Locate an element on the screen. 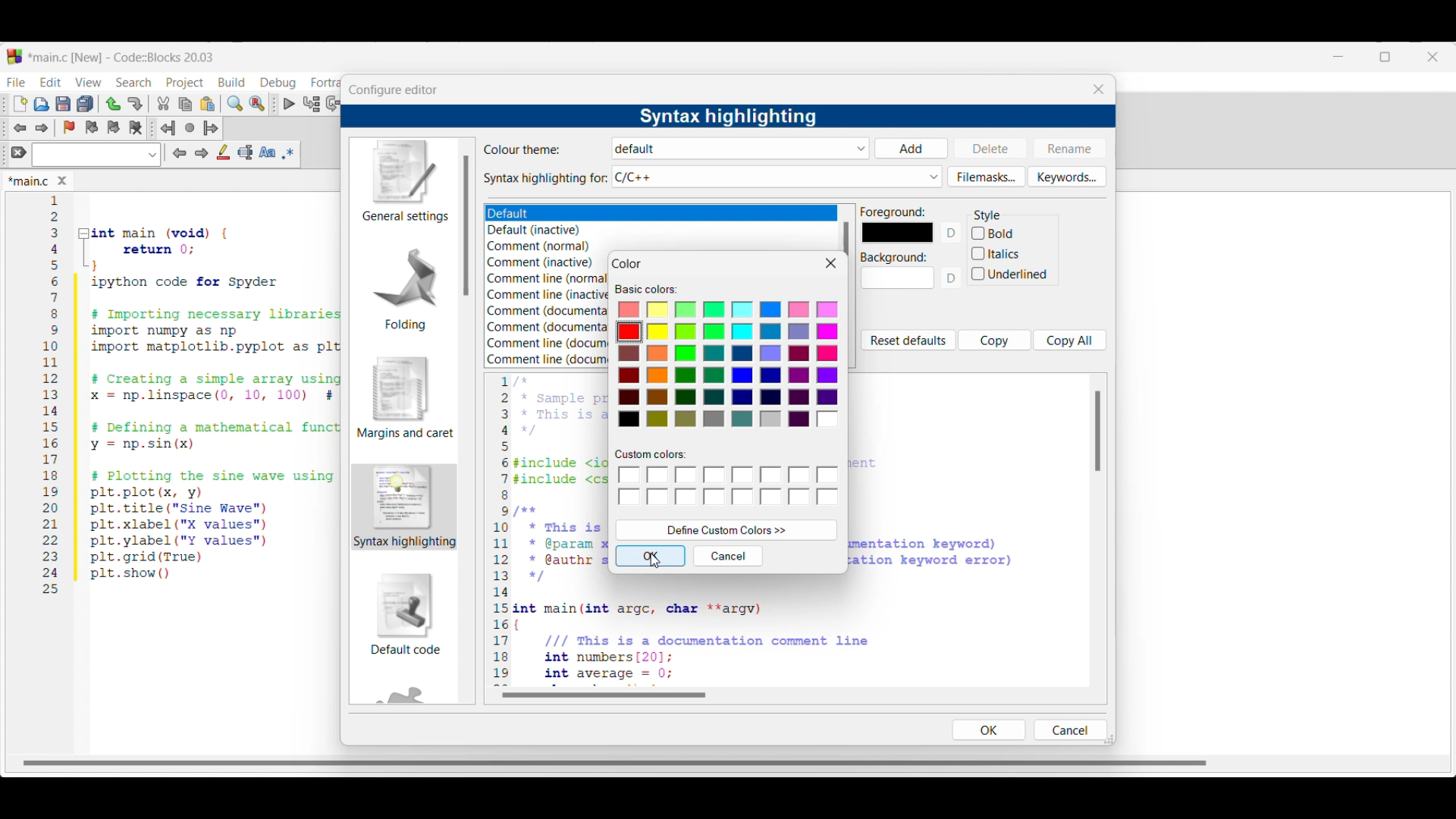 The width and height of the screenshot is (1456, 819). Comment line (documentation, inactive is located at coordinates (548, 359).